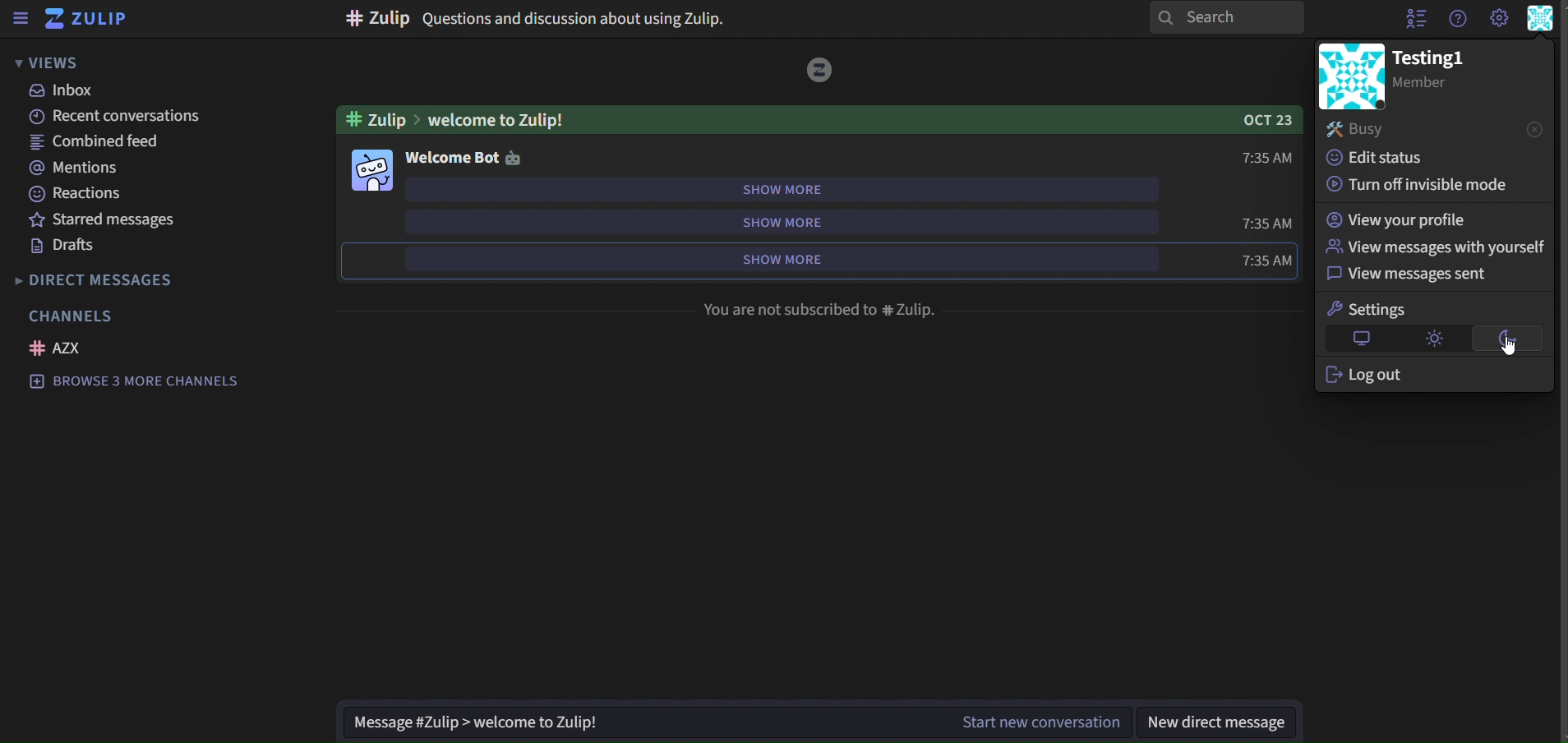 The width and height of the screenshot is (1568, 743). What do you see at coordinates (1264, 224) in the screenshot?
I see `time` at bounding box center [1264, 224].